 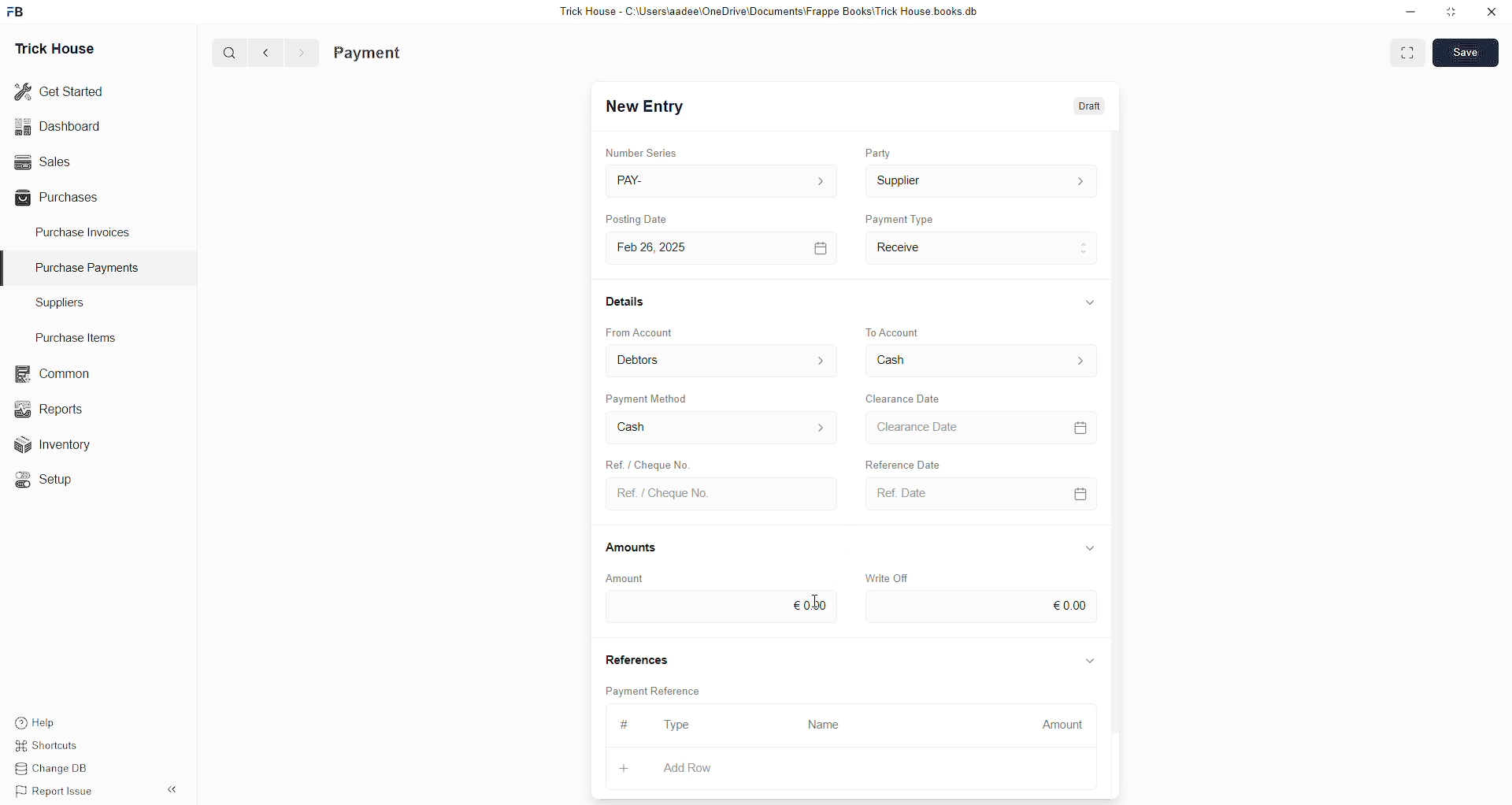 What do you see at coordinates (1091, 546) in the screenshot?
I see `expand` at bounding box center [1091, 546].